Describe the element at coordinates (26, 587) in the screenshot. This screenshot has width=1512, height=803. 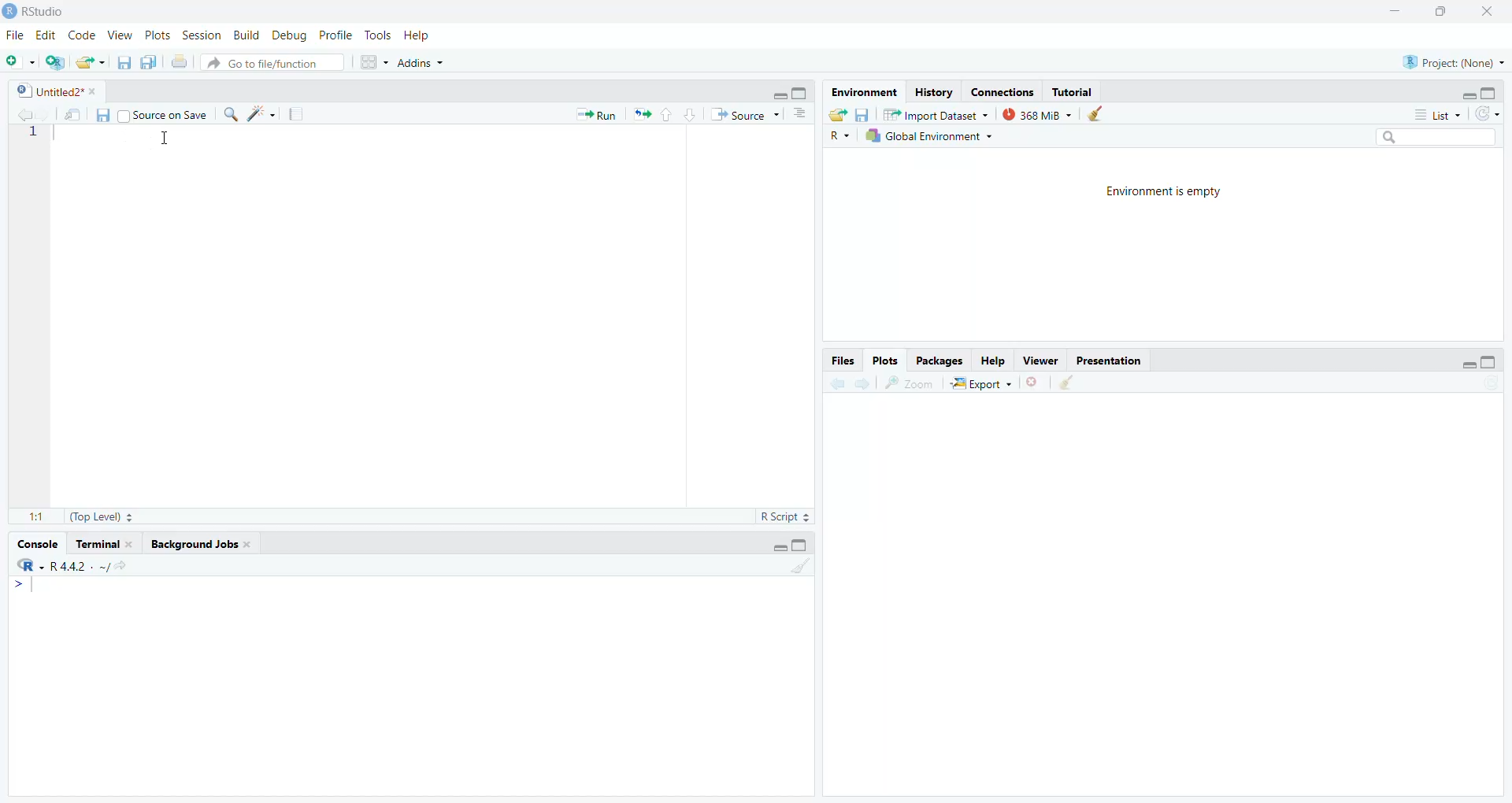
I see `> |` at that location.